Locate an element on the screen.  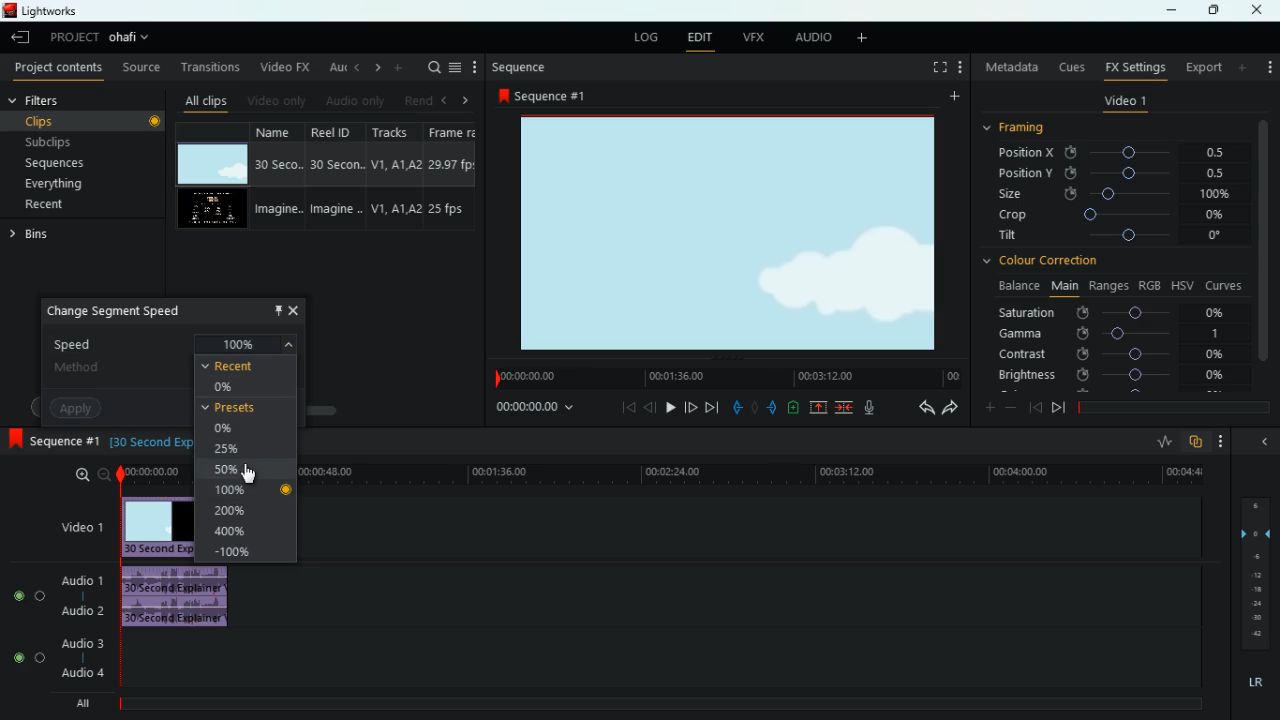
time is located at coordinates (538, 409).